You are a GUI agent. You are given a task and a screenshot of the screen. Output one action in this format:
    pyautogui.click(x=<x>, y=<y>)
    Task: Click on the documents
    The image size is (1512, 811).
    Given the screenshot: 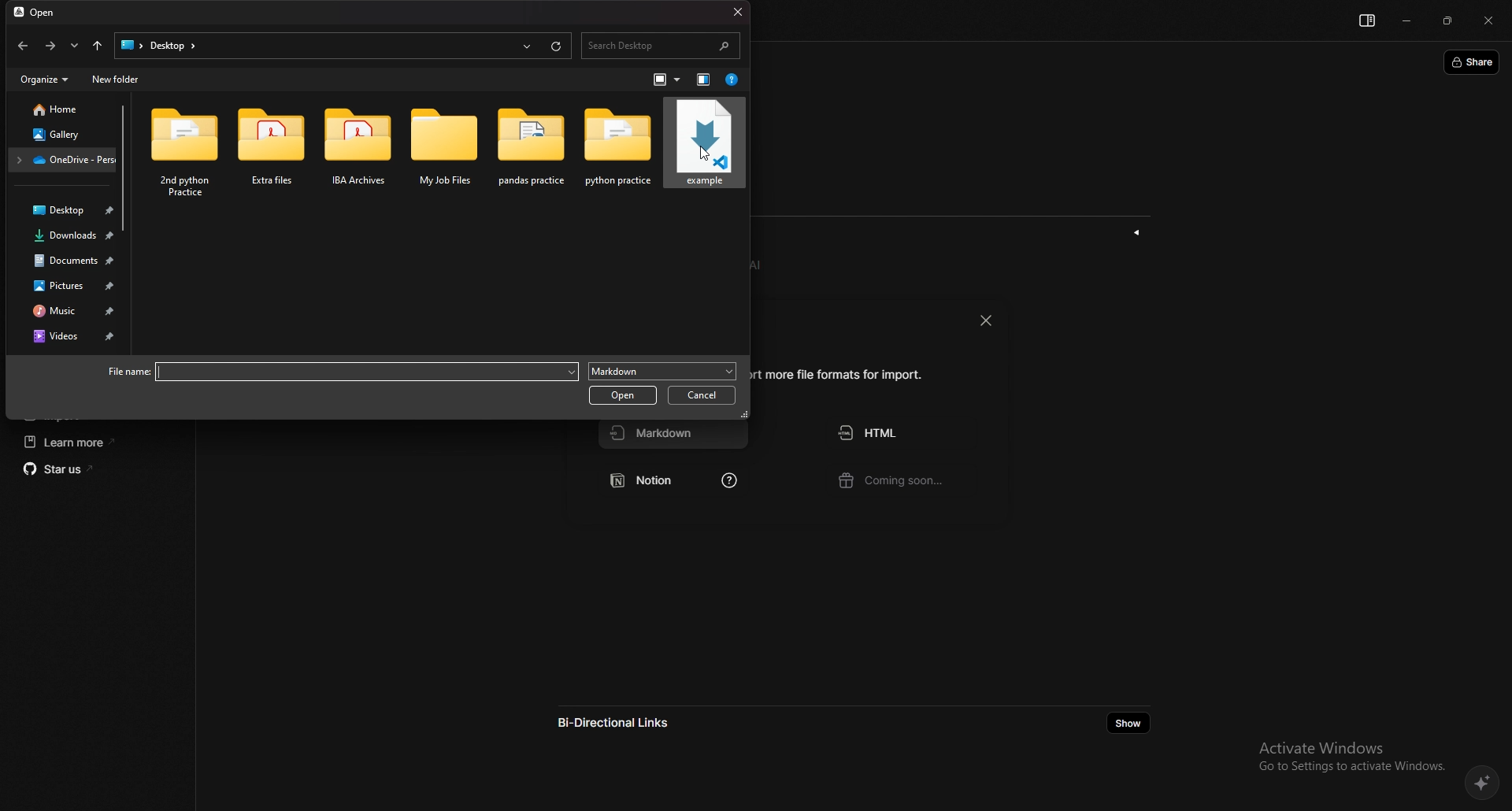 What is the action you would take?
    pyautogui.click(x=65, y=261)
    